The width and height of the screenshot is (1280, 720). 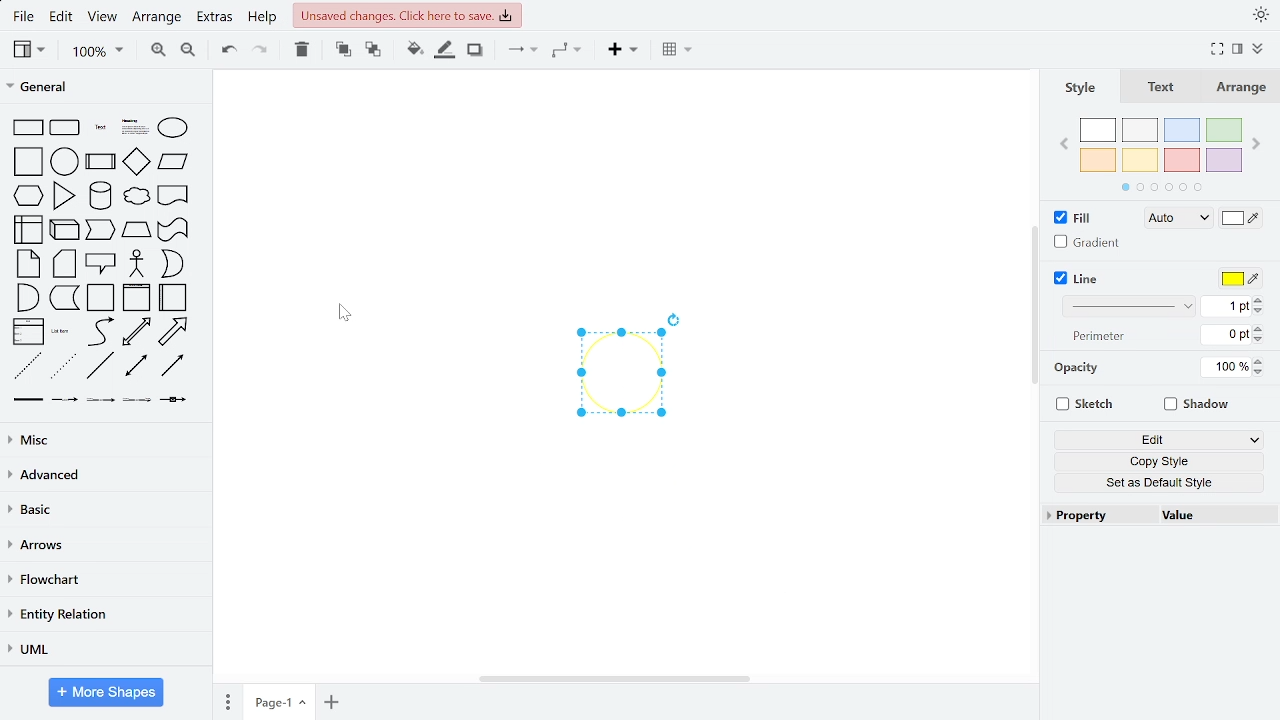 What do you see at coordinates (1207, 515) in the screenshot?
I see `value` at bounding box center [1207, 515].